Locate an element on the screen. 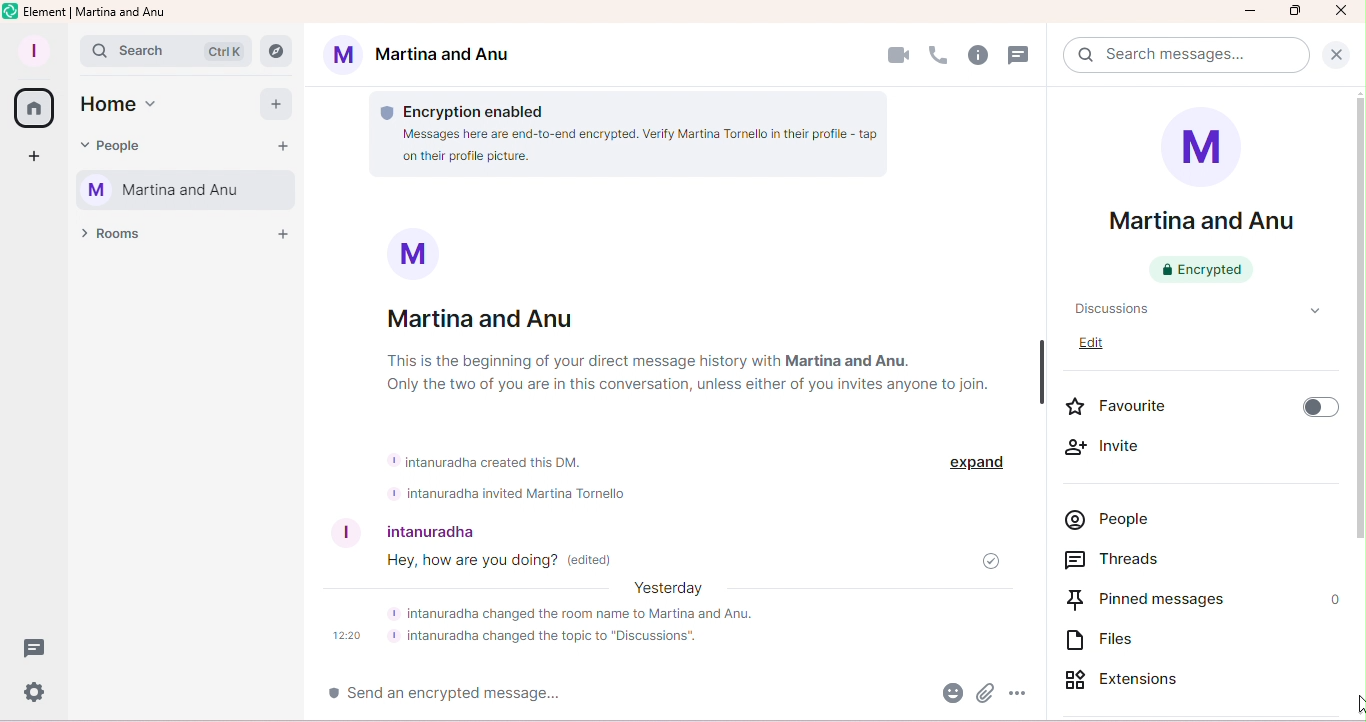 The image size is (1366, 722). Emojis is located at coordinates (948, 695).